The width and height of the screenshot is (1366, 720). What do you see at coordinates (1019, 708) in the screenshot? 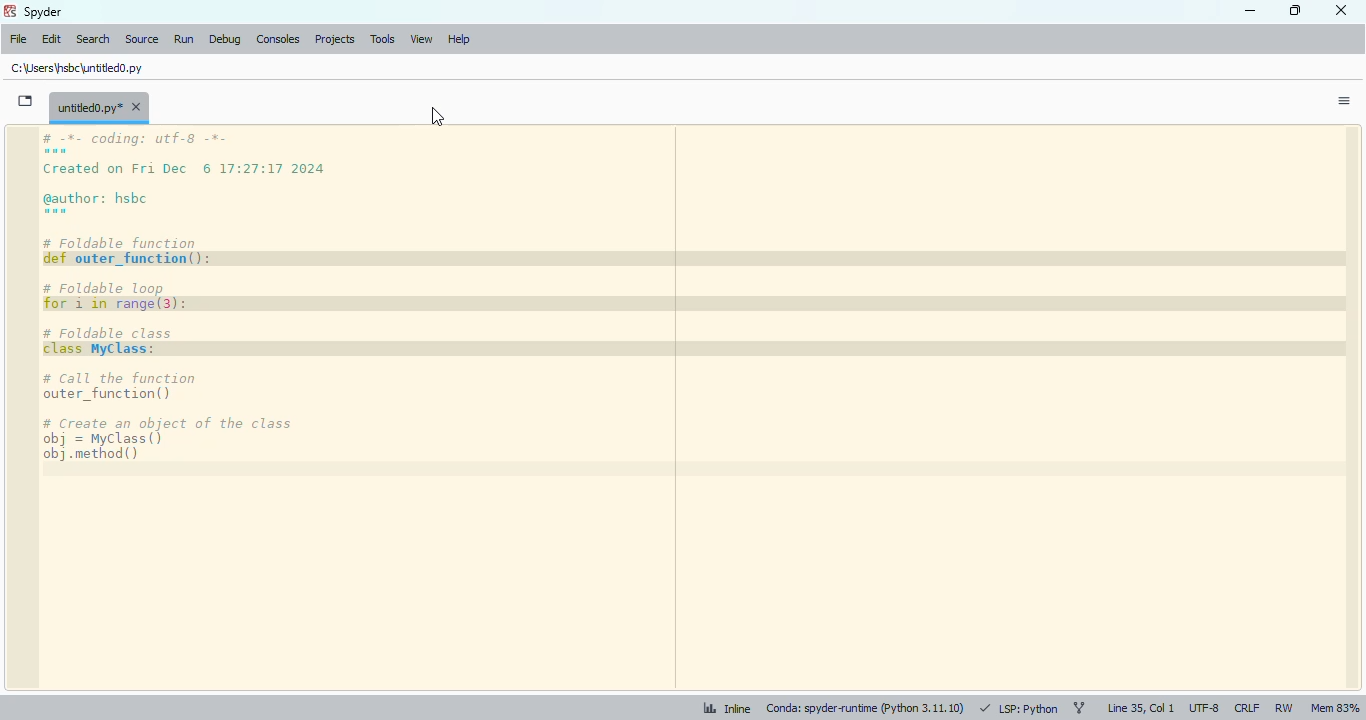
I see `LSP: python` at bounding box center [1019, 708].